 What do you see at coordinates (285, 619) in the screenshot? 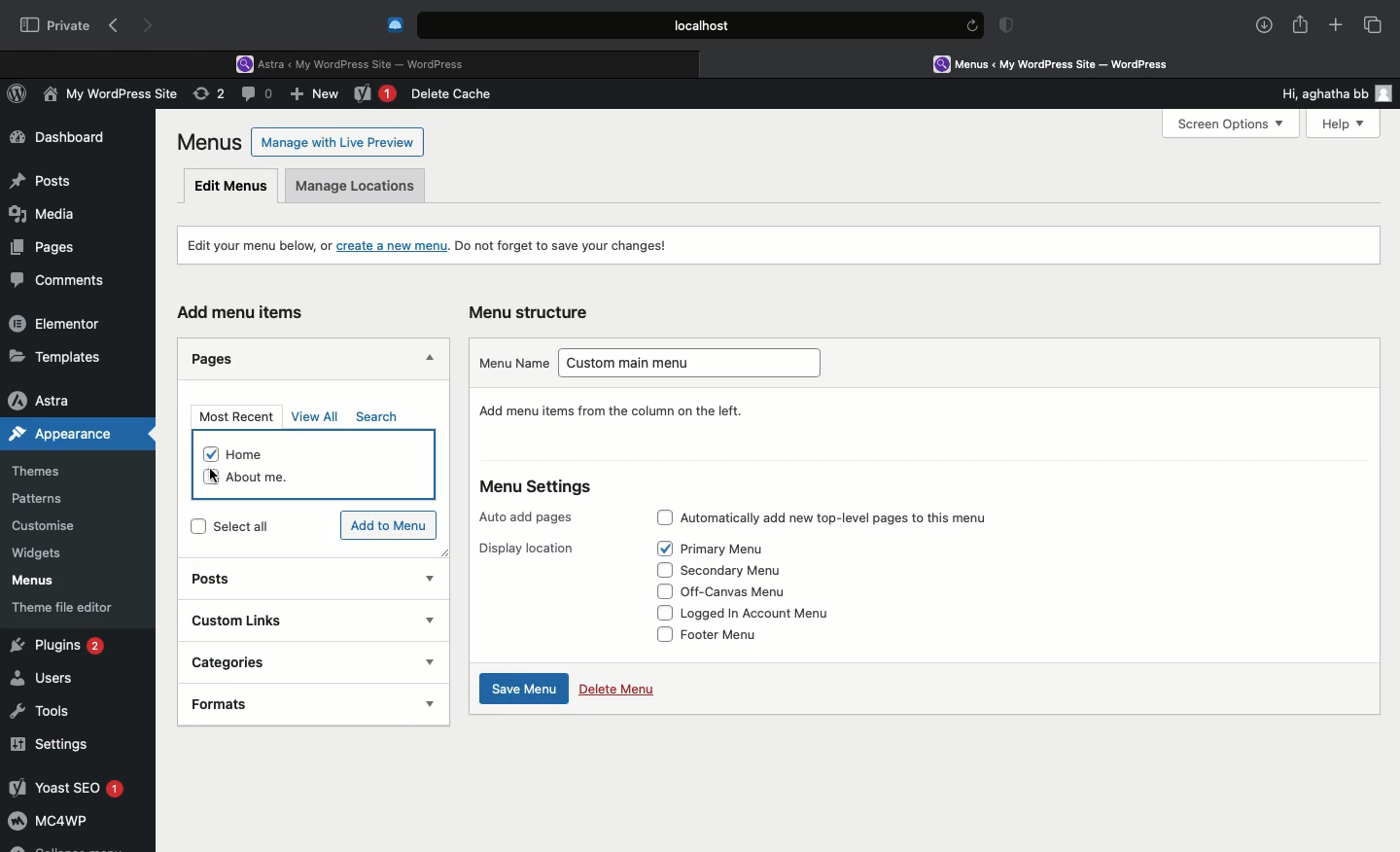
I see `Custom links` at bounding box center [285, 619].